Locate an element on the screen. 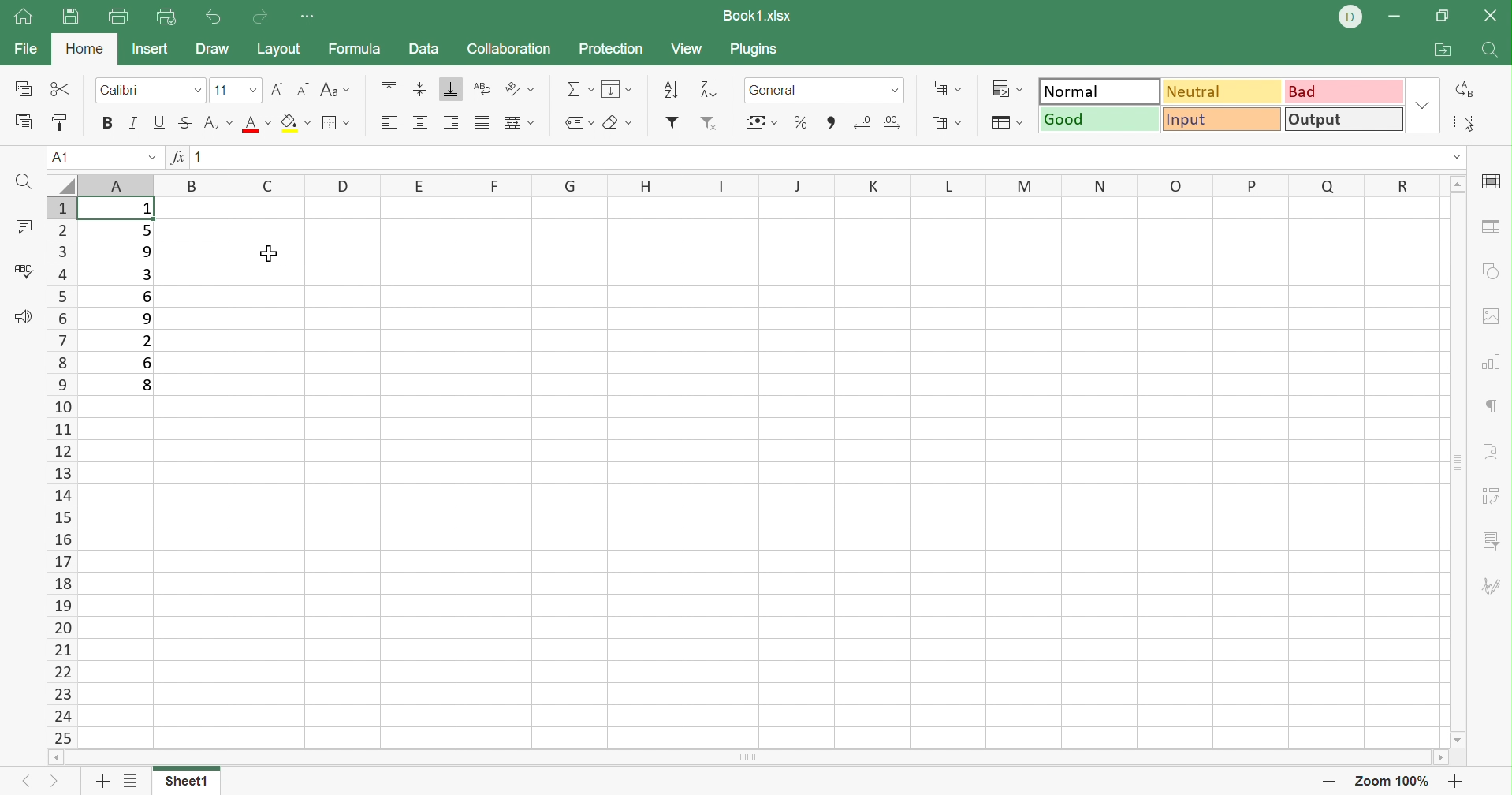 The height and width of the screenshot is (795, 1512). Redo is located at coordinates (257, 17).